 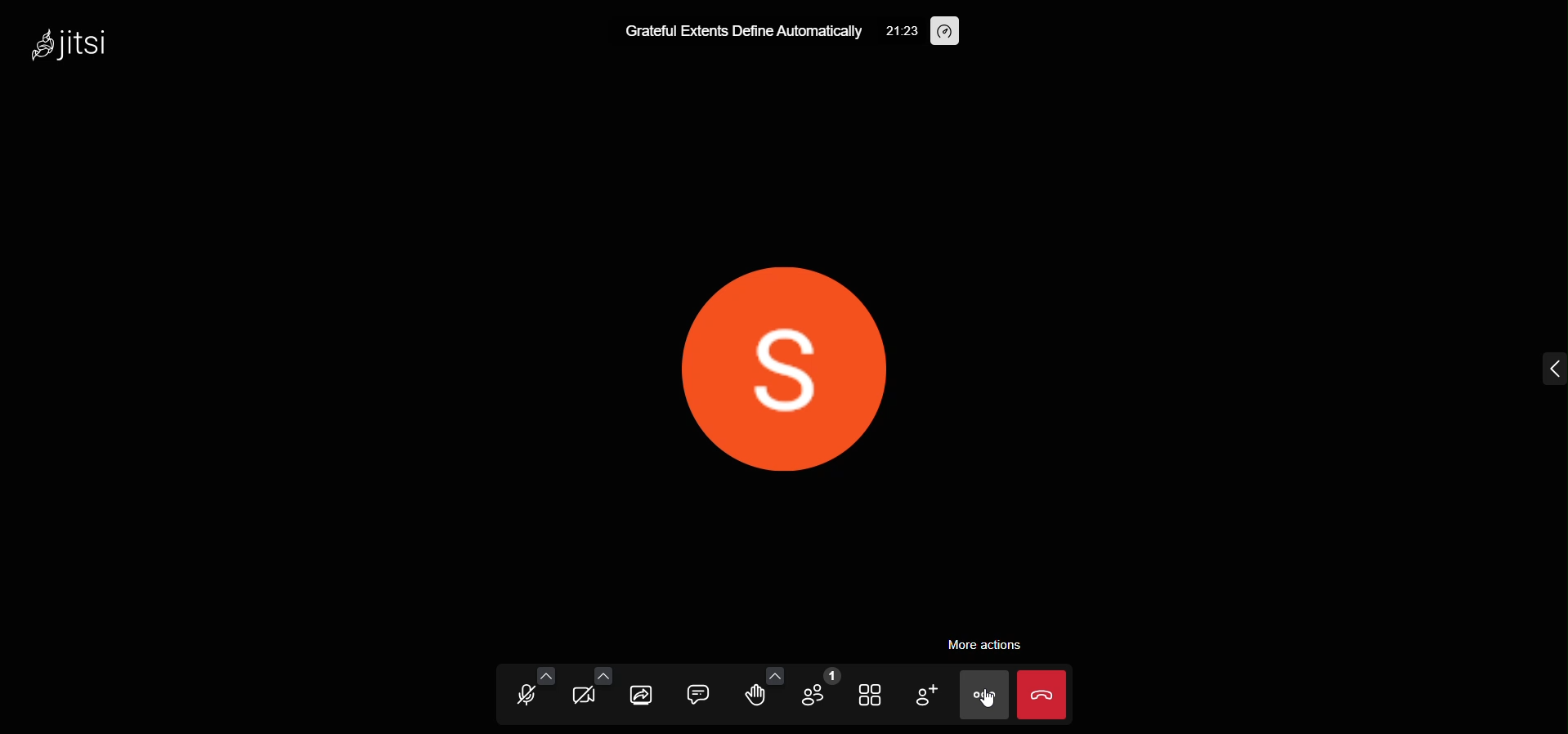 I want to click on time, so click(x=902, y=32).